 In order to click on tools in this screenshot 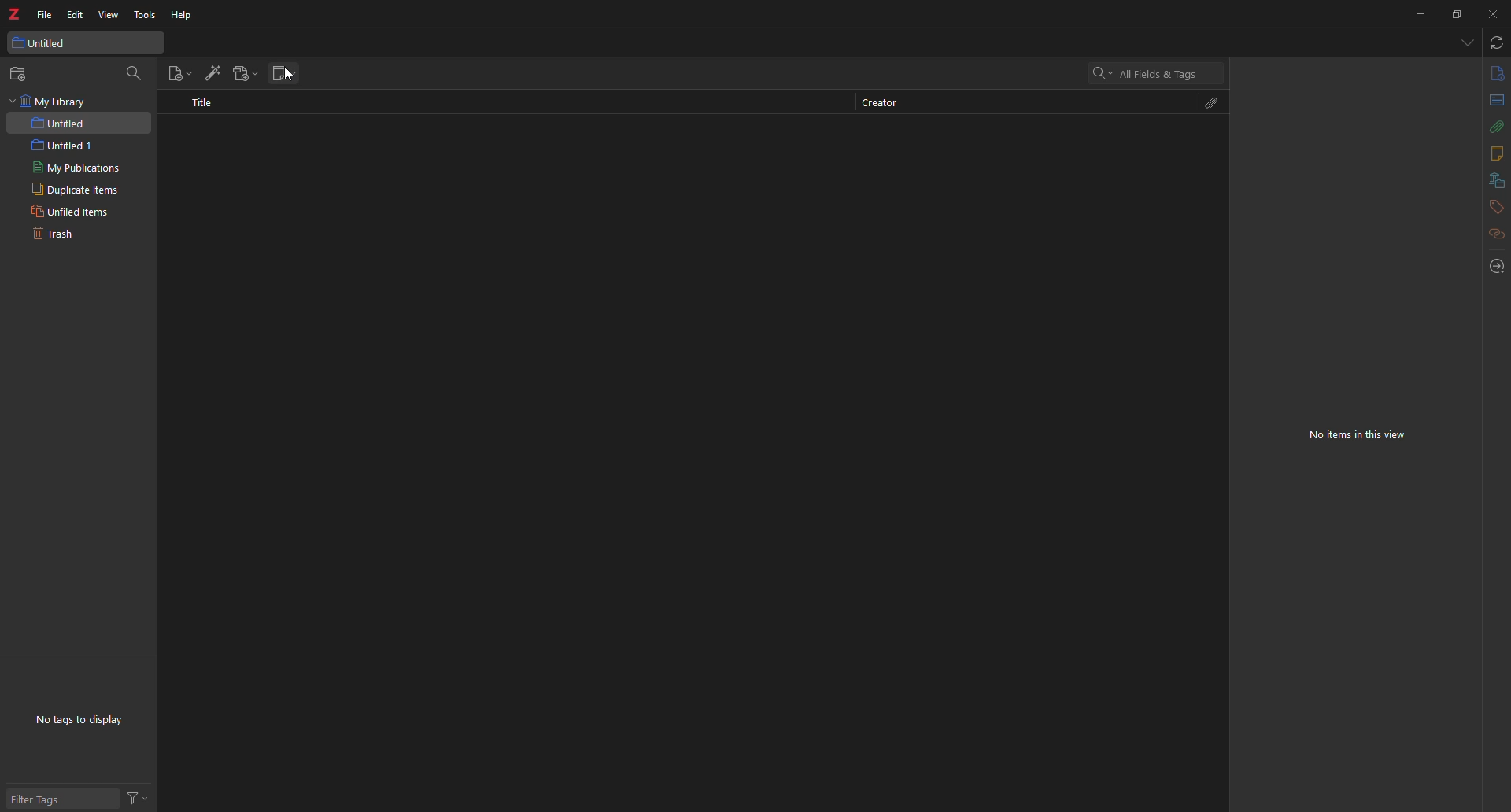, I will do `click(145, 15)`.